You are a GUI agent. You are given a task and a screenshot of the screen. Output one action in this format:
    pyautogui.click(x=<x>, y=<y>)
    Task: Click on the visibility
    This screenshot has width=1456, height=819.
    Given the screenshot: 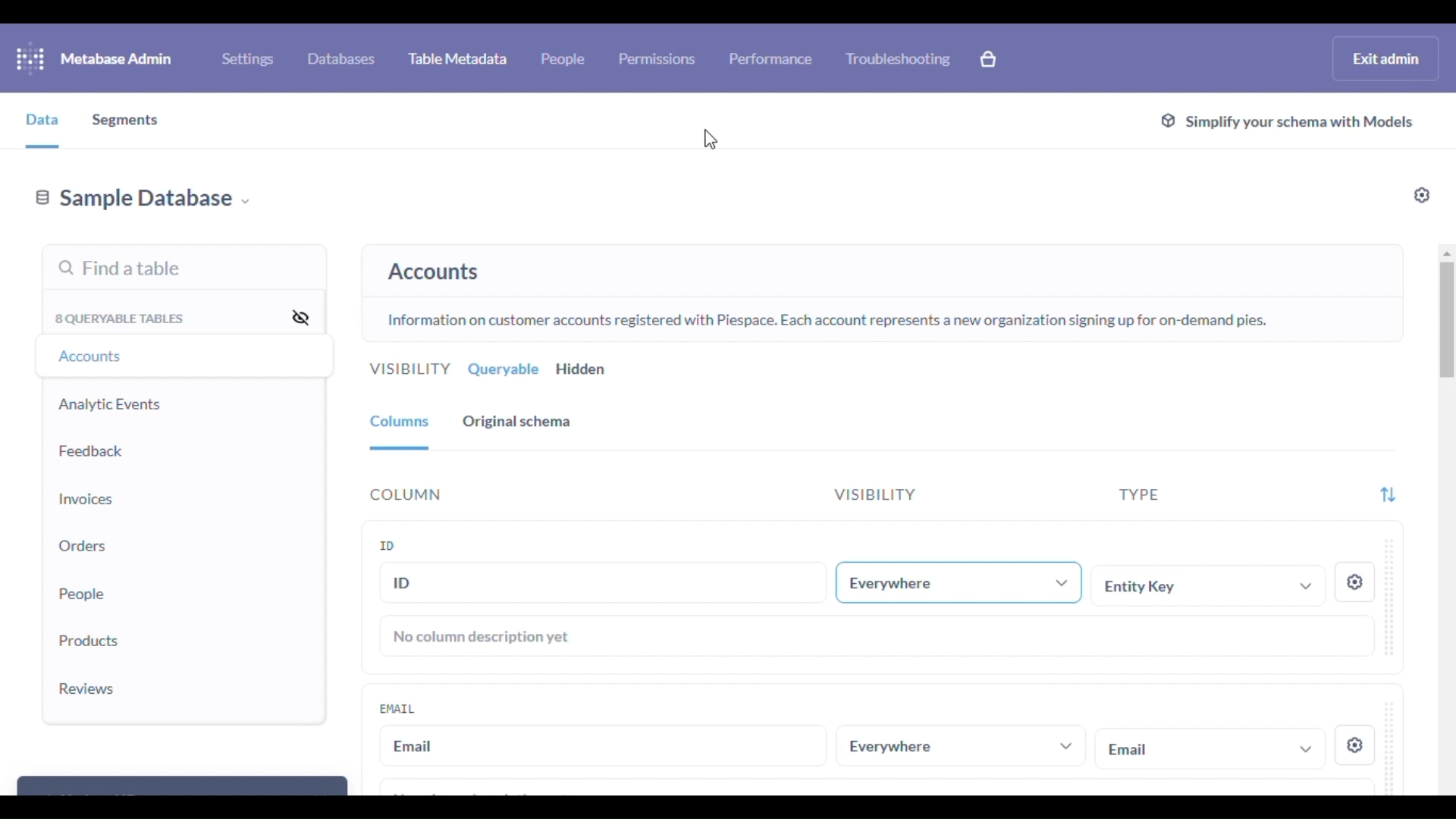 What is the action you would take?
    pyautogui.click(x=874, y=494)
    